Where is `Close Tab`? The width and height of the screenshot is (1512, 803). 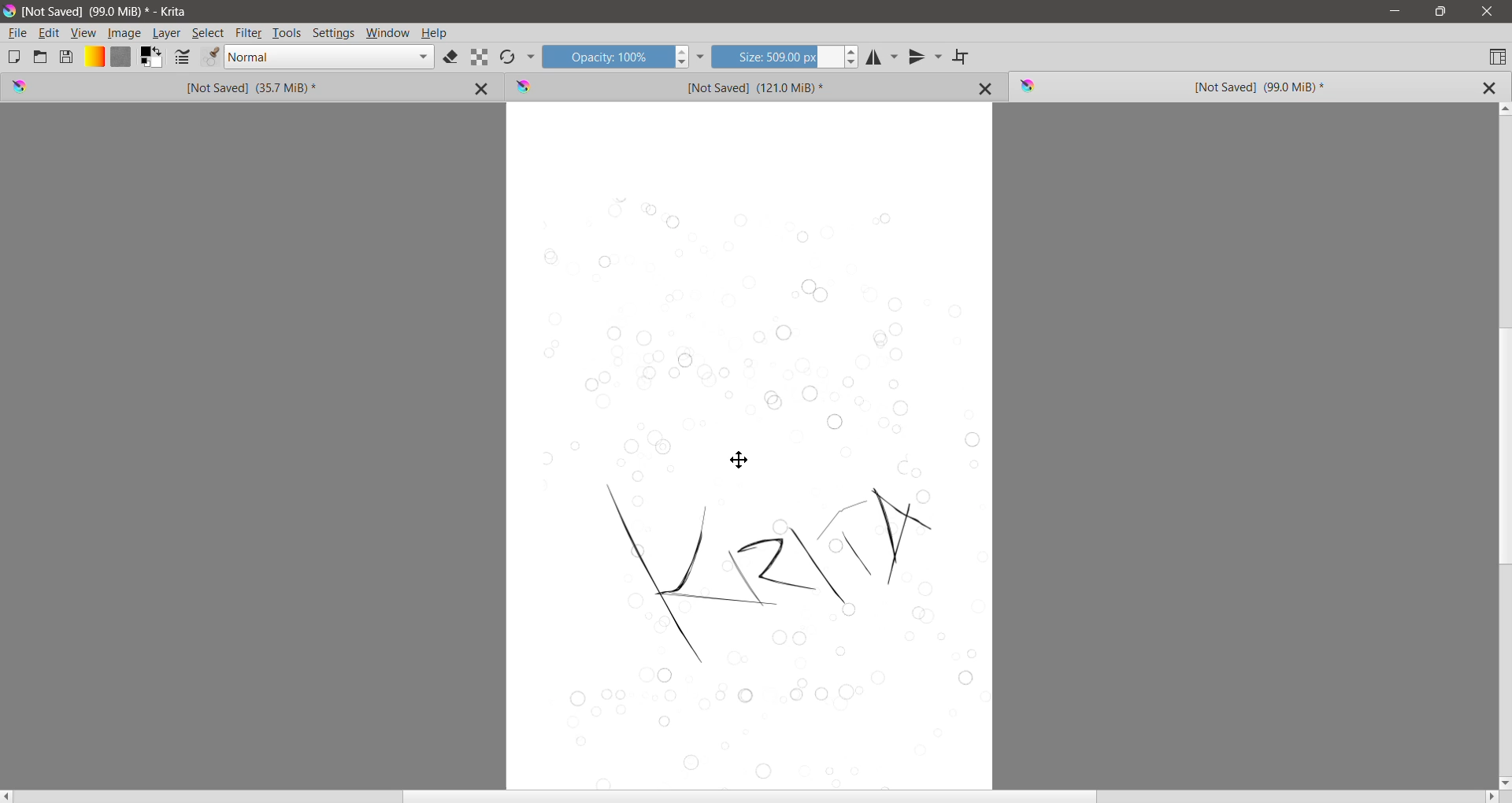
Close Tab is located at coordinates (986, 88).